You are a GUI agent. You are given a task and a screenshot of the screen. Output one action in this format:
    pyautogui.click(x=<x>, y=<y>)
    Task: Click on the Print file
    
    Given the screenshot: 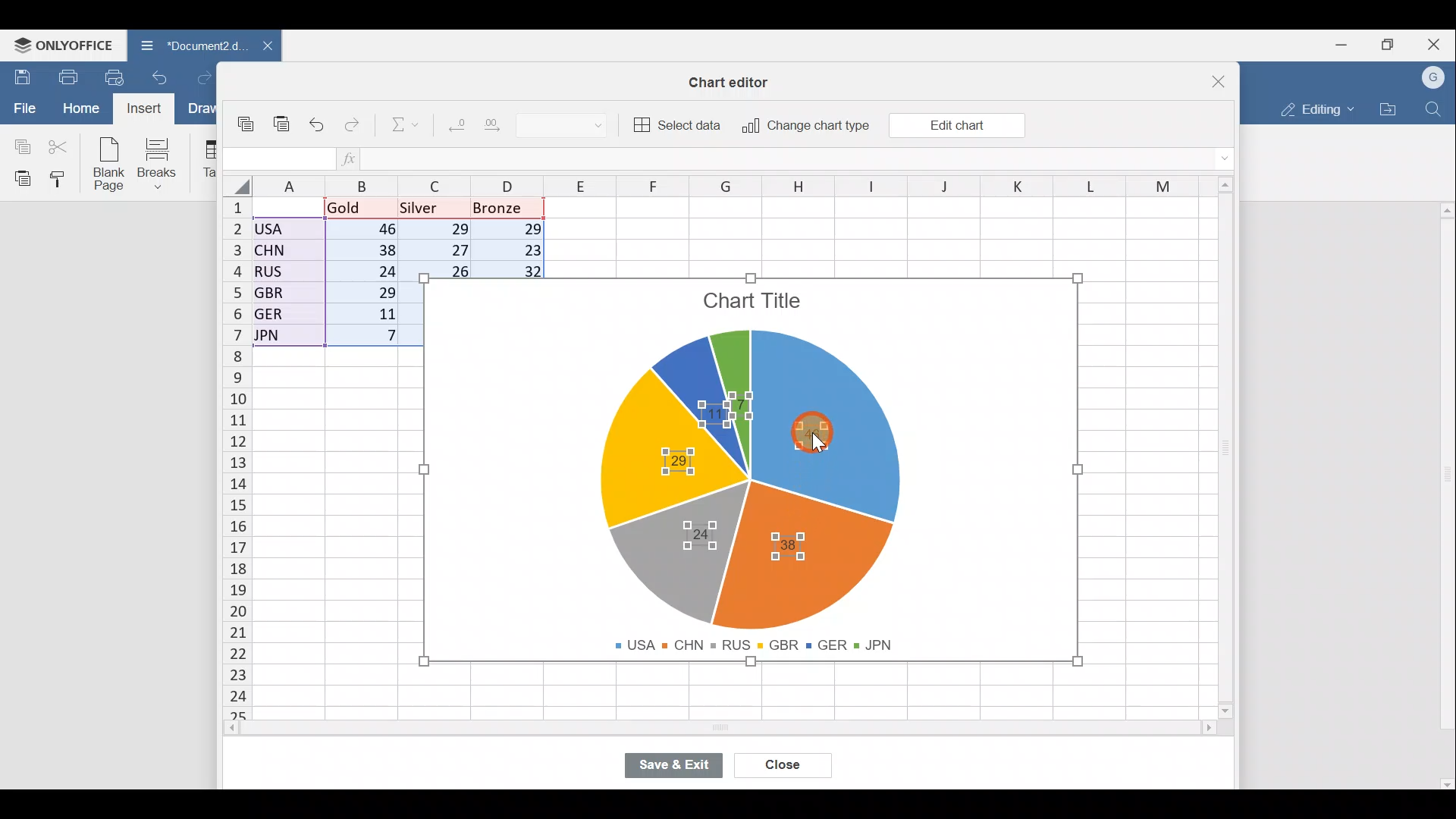 What is the action you would take?
    pyautogui.click(x=67, y=76)
    